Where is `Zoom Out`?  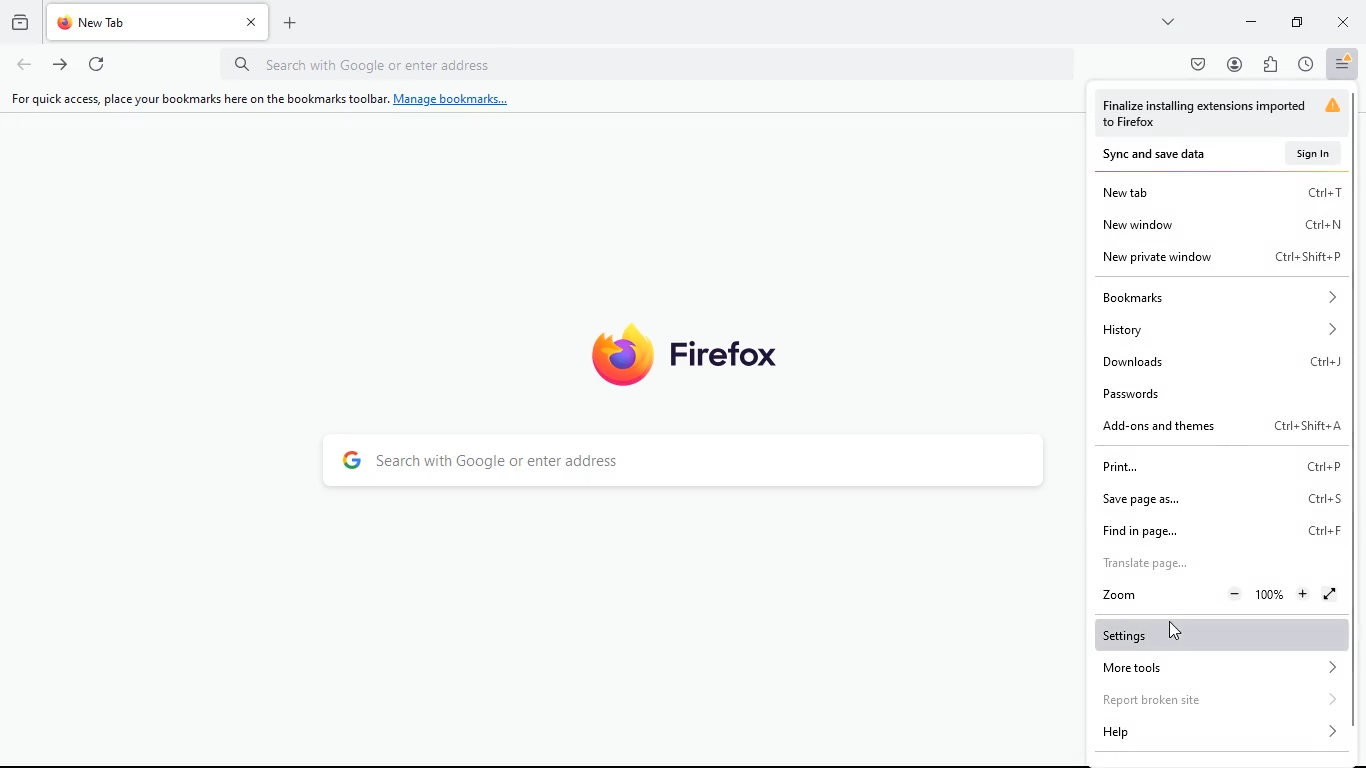 Zoom Out is located at coordinates (1236, 593).